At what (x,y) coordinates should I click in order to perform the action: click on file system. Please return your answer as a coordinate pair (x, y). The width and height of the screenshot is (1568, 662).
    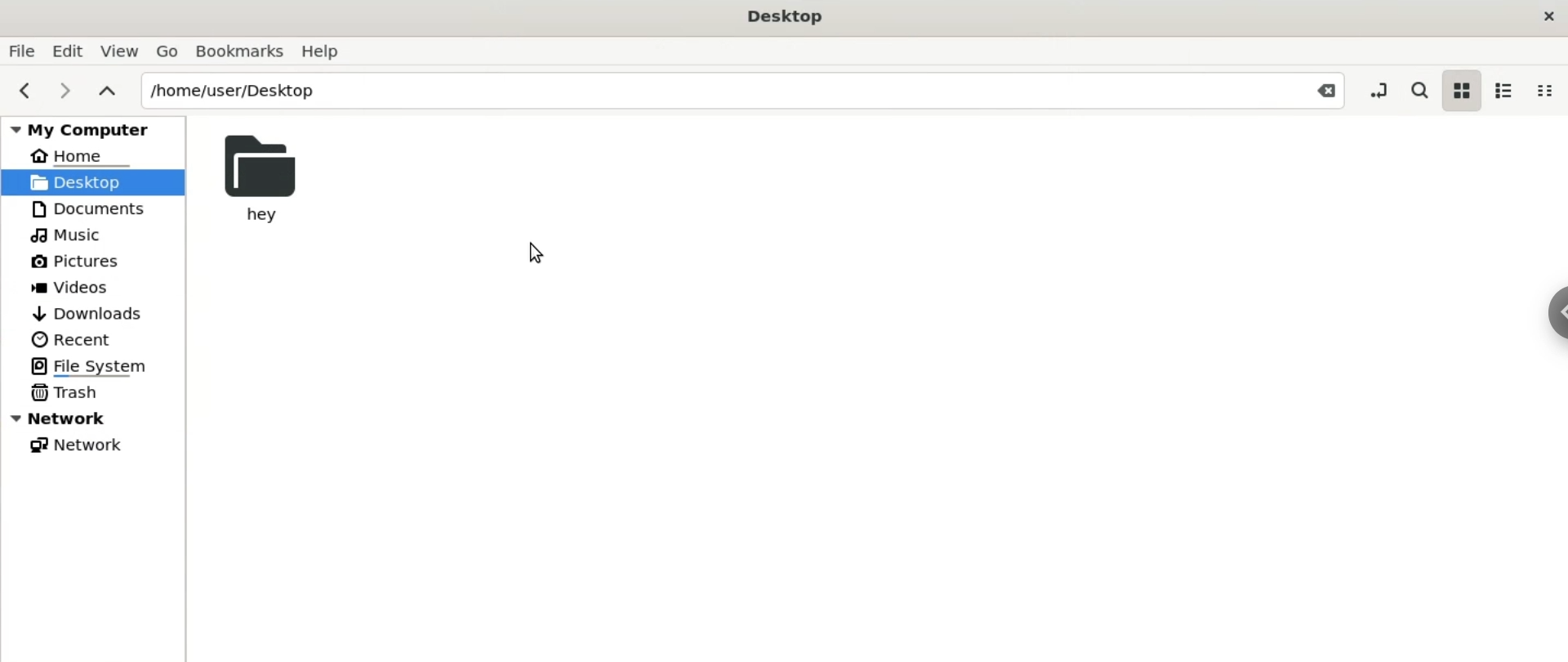
    Looking at the image, I should click on (93, 366).